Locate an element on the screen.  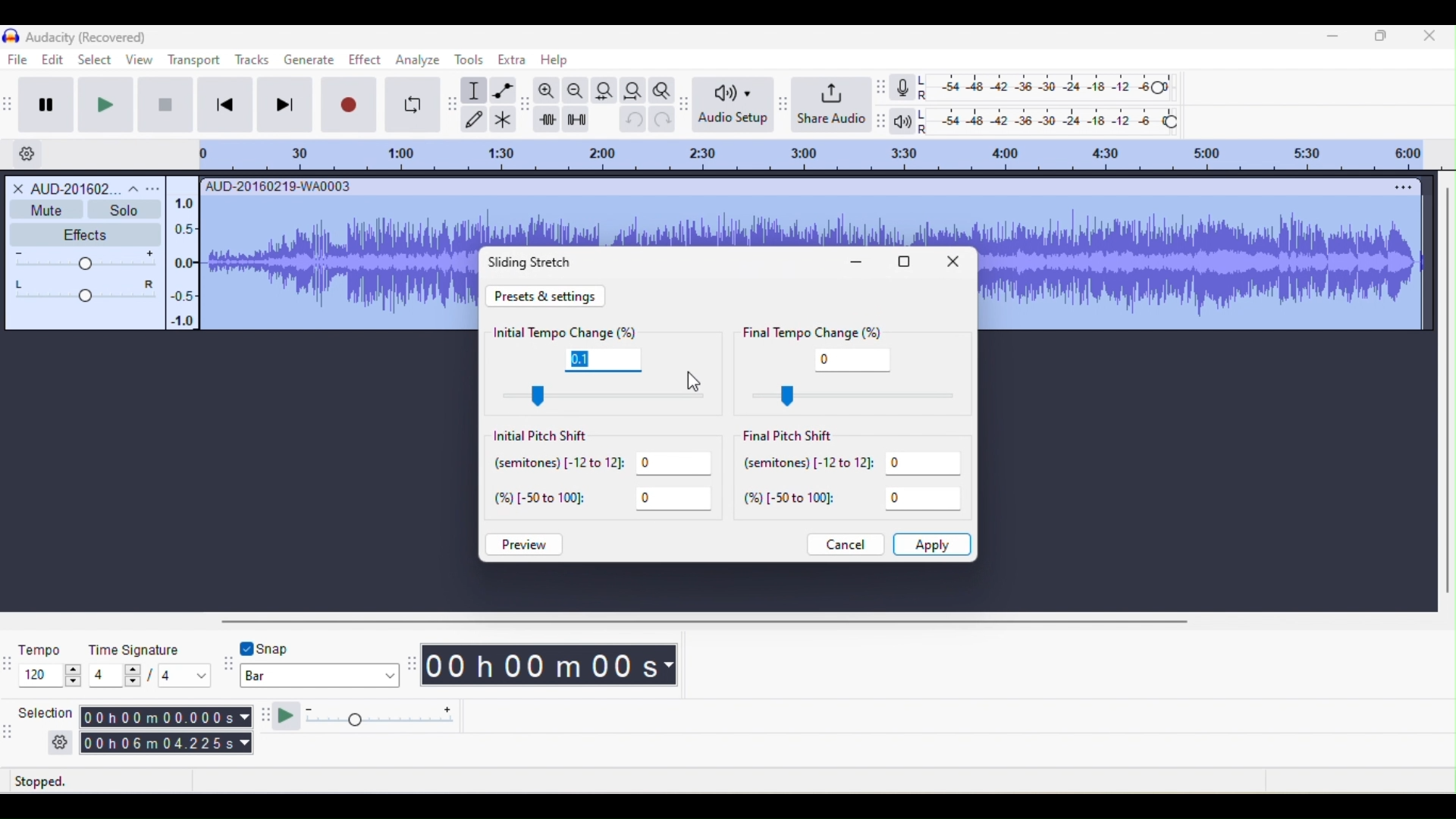
0.1 is located at coordinates (606, 359).